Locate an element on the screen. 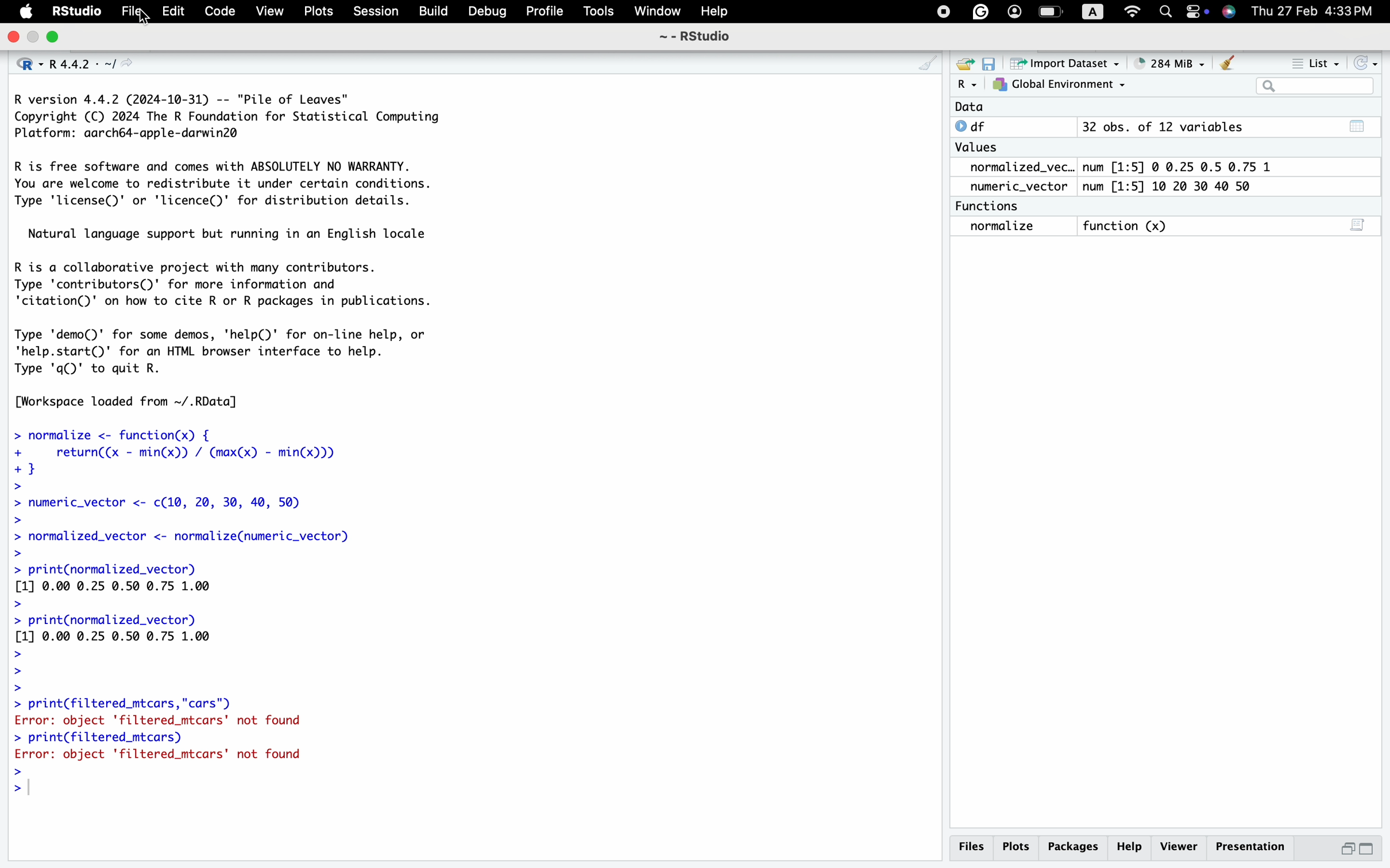  R version 4.4.2 (2024-10-31) -- "Pile of Leaves"

Copyright (C) 2024 The R Foundation for Statistical Computing

Platform: aarch64-apple-darwin2@

R is free software and comes with ABSOLUTELY NO WARRANTY.

You are welcome to redistribute it under certain conditions.

Type 'license()' or 'licence()' for distribution details.
Natural language support but running in an English locale

R is a collaborative project with many contributors.

Type 'contributors()' for more information and

'citation()' on how to cite R or R packages in publications.

Type 'demo()' for some demos, 'help(D)' for on-line help, or

'help.start()' for an HTML browser interface to help.

Type 'q()' to quit R.

[Workspace loaded from ~/.RData]

> normalize <- function(x) {

+ return((x - min(x)) / (max(x) - min(x)))

+}

>

> numeric_vector <- c(10, 20, 30, 40, 50)

>

> normalized_vector <- normalize(numeric_vector)

>

> print(normalized_vector)

[1] 0.00 0.25 0.50 0.75 1.00

>

> print(normalized_vector)

[1] 0.00 0.25 0.50 0.75 1.00

>

>

>

> print(filtered_mtcars,"cars")

Error: object 'filtered_mtcars' not found

> print(filtered_mtcars)

Error: object 'filtered_mtcars' not found

>

> is located at coordinates (263, 448).